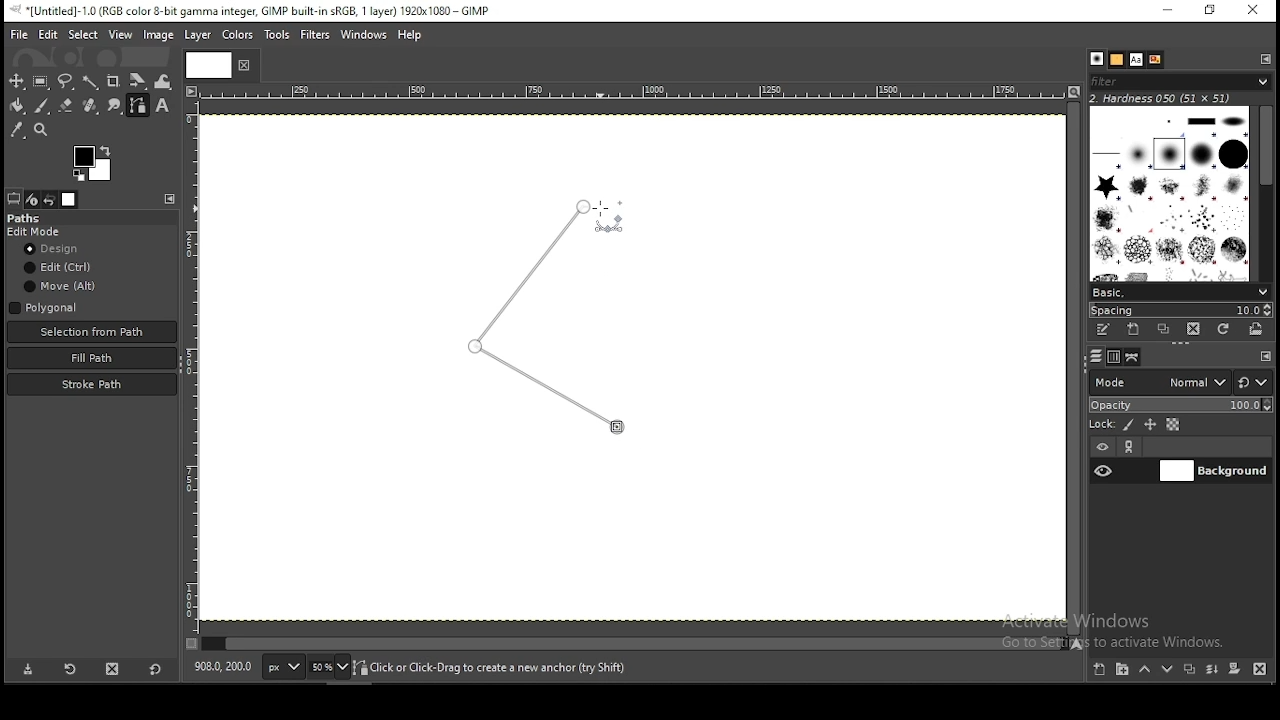  I want to click on spacing, so click(1180, 310).